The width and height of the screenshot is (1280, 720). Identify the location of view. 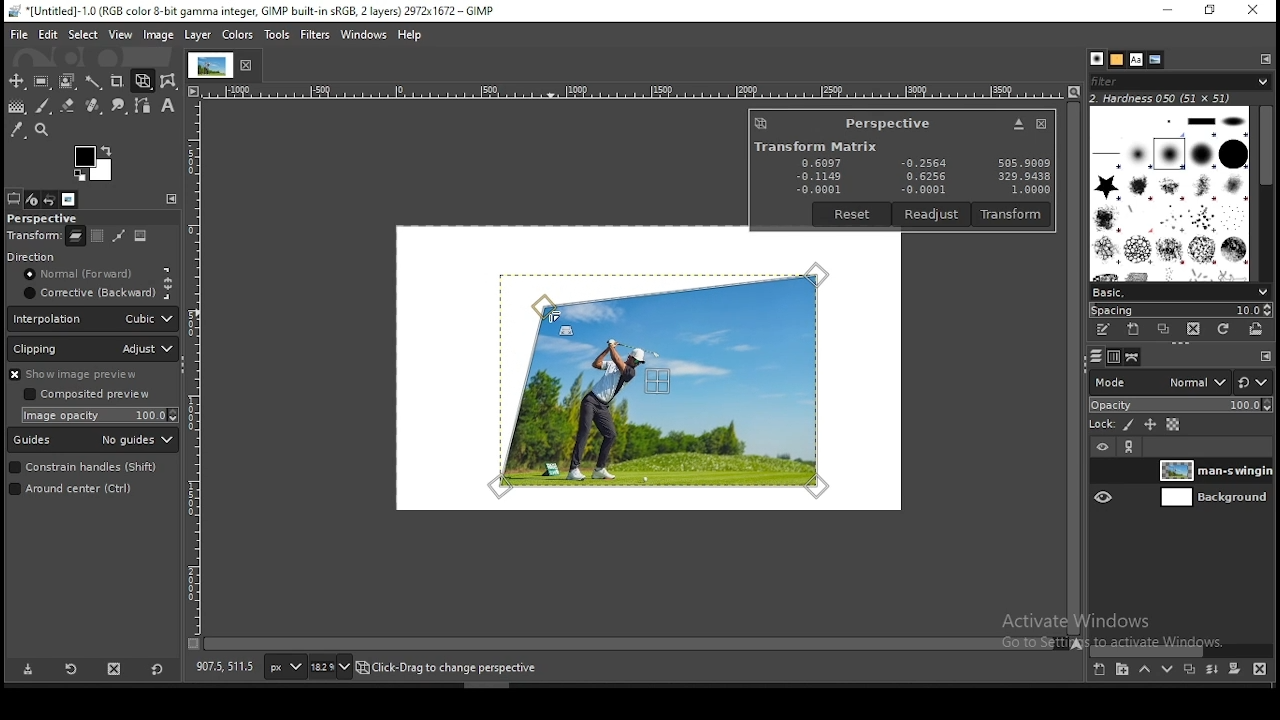
(119, 35).